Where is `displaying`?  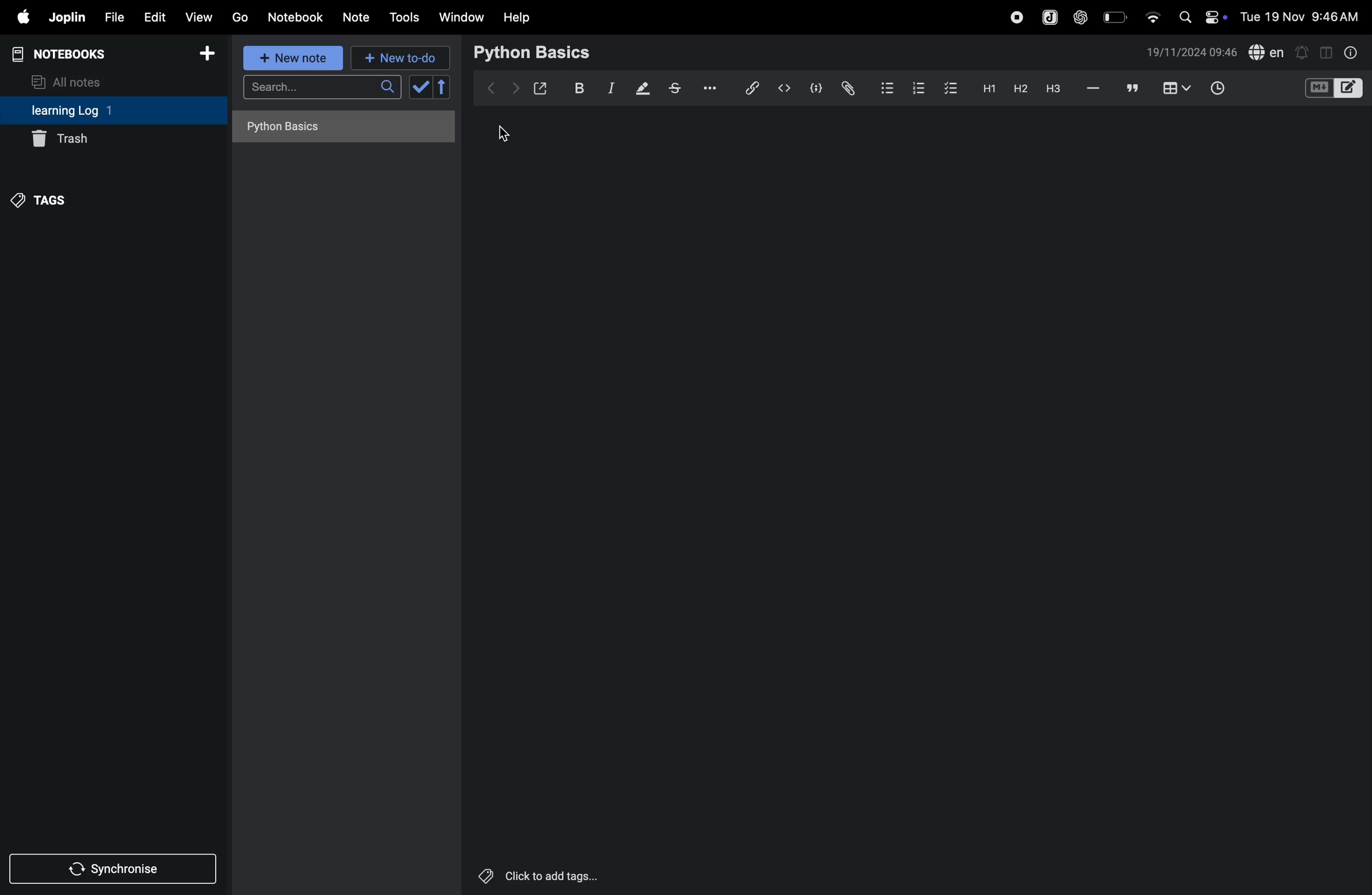 displaying is located at coordinates (643, 89).